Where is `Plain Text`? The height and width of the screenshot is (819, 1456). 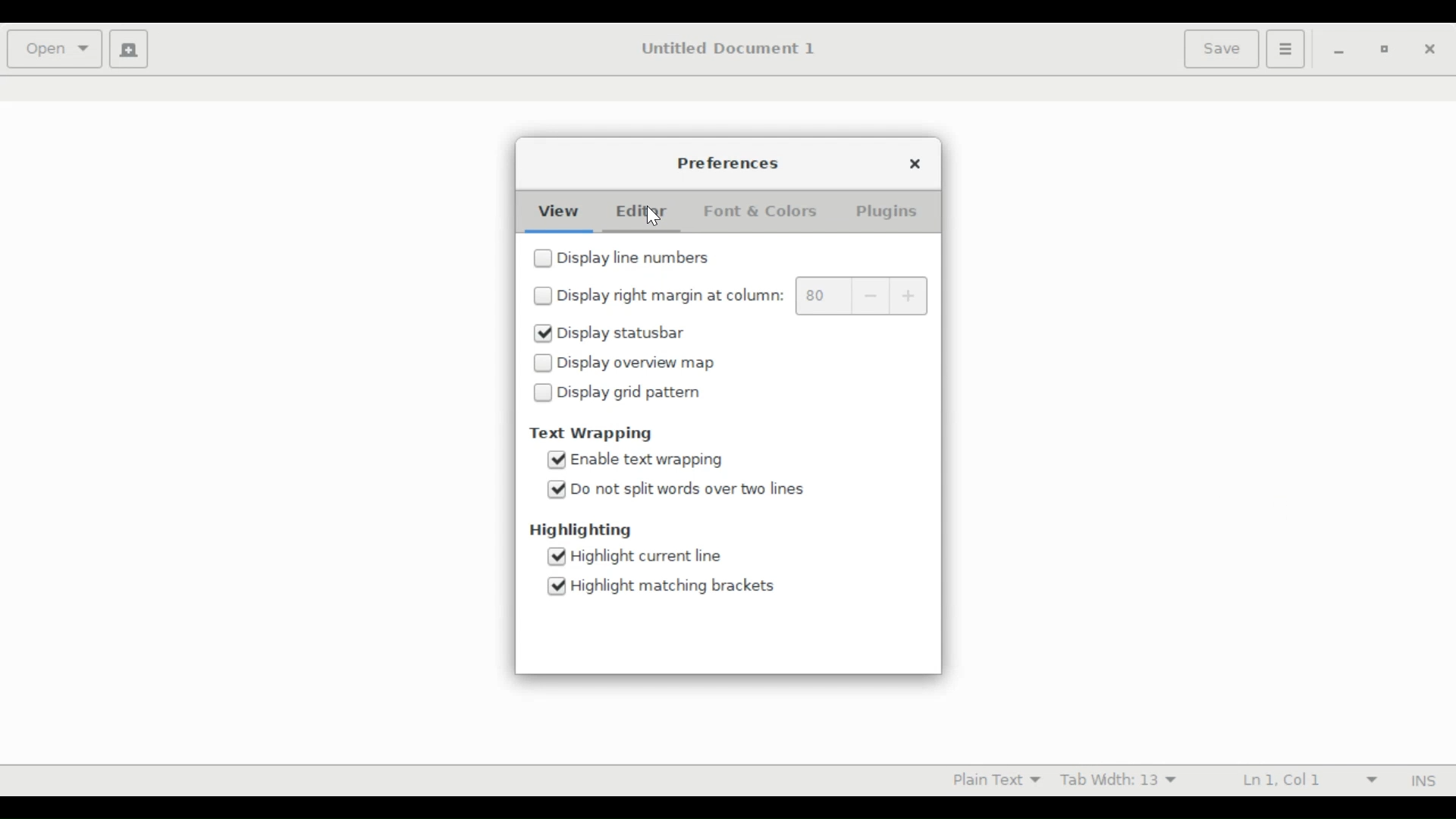
Plain Text is located at coordinates (993, 779).